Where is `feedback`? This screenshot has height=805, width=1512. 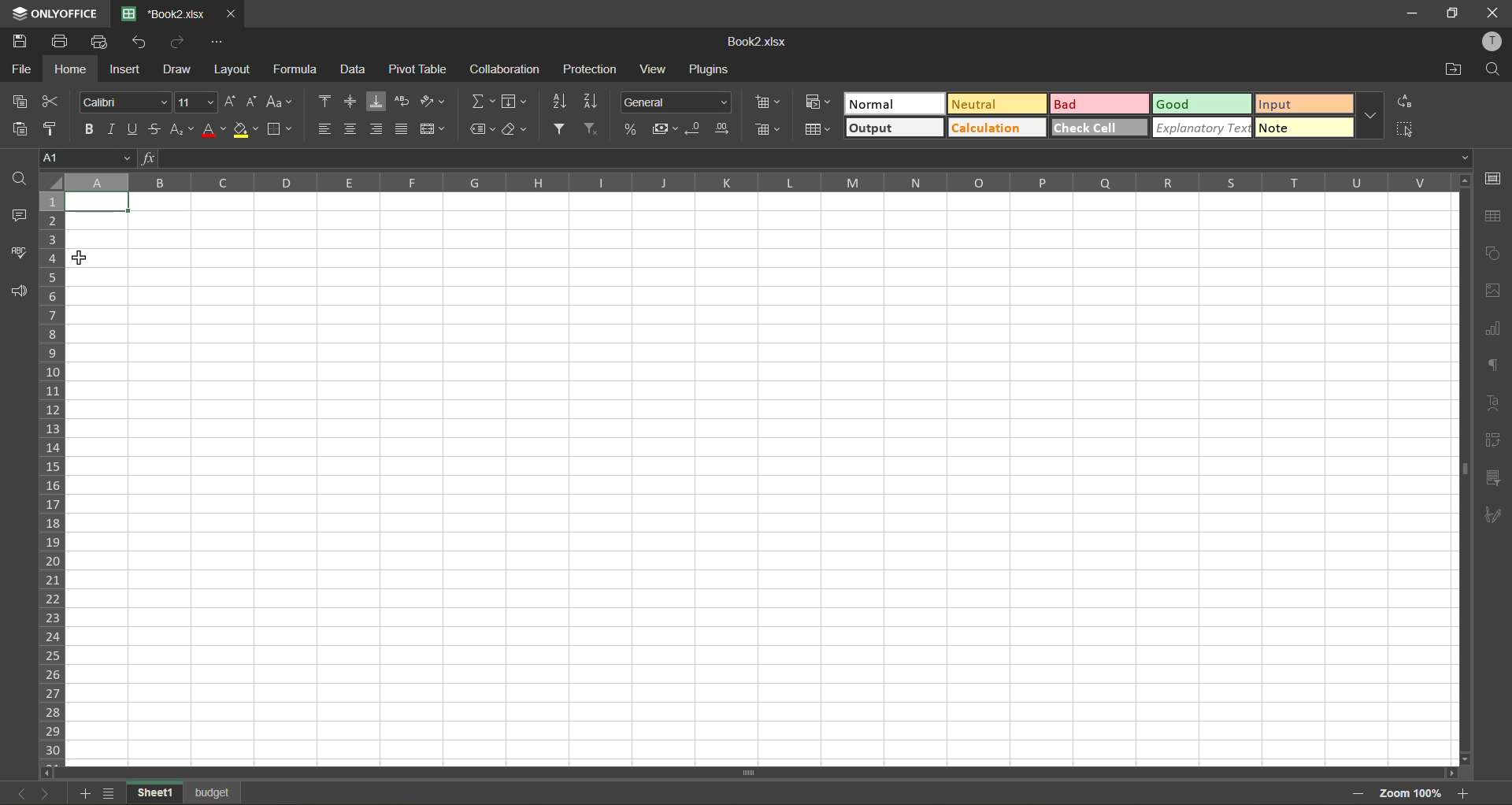
feedback is located at coordinates (20, 292).